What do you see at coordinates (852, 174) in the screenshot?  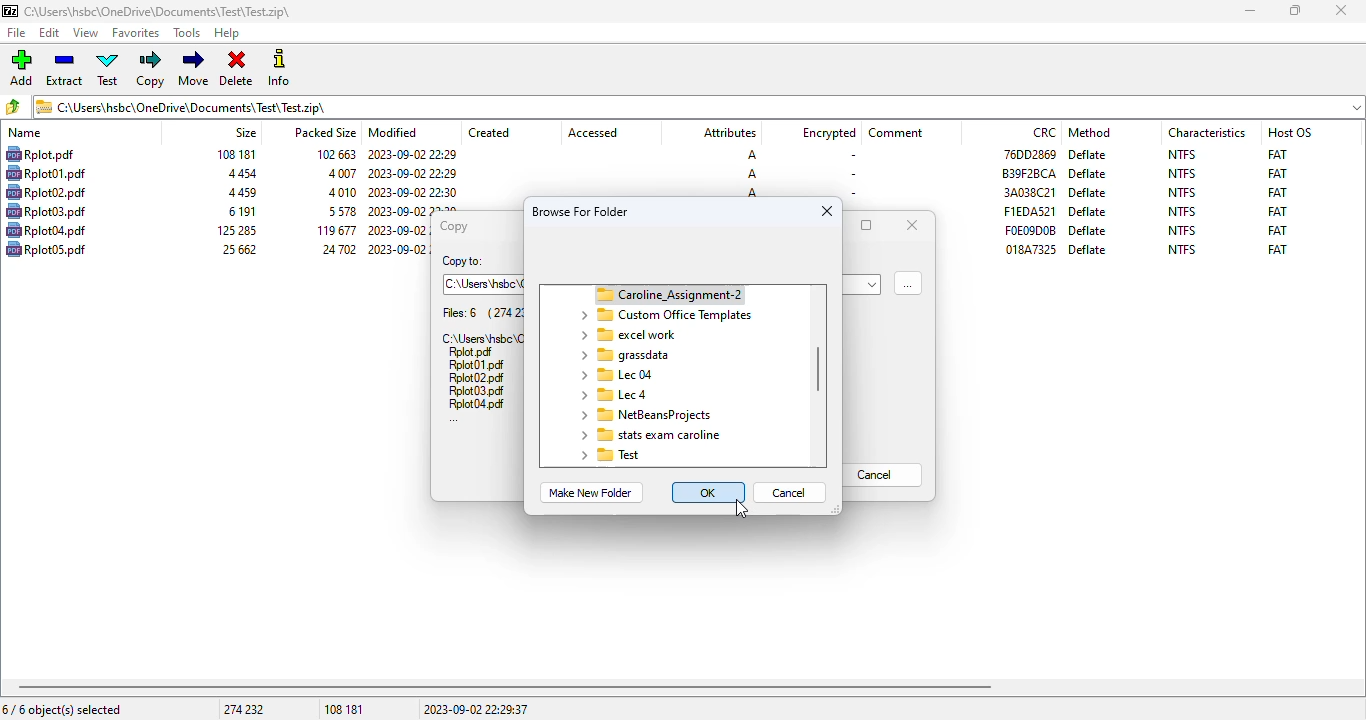 I see `-` at bounding box center [852, 174].